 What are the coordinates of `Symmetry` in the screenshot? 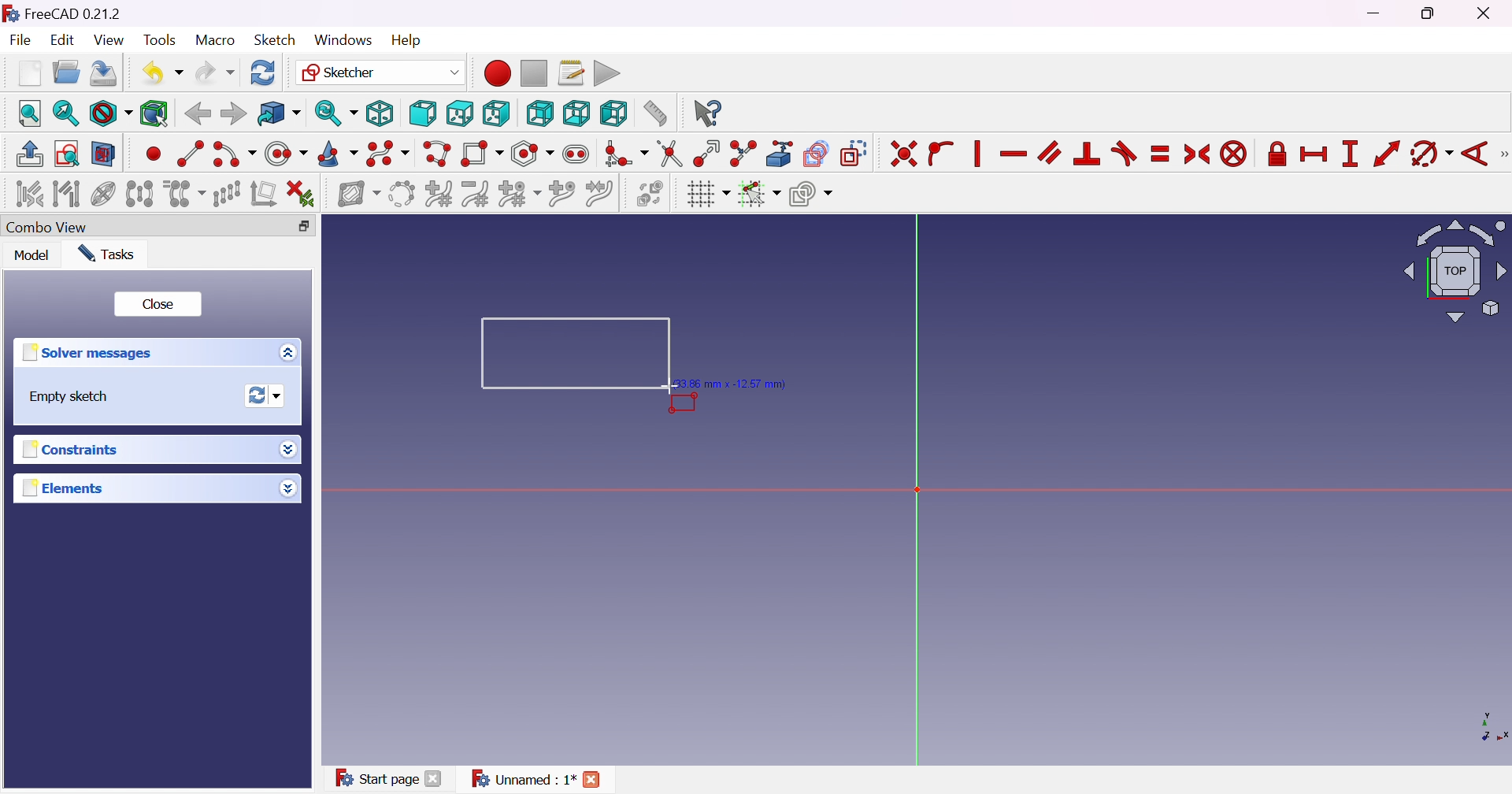 It's located at (139, 193).